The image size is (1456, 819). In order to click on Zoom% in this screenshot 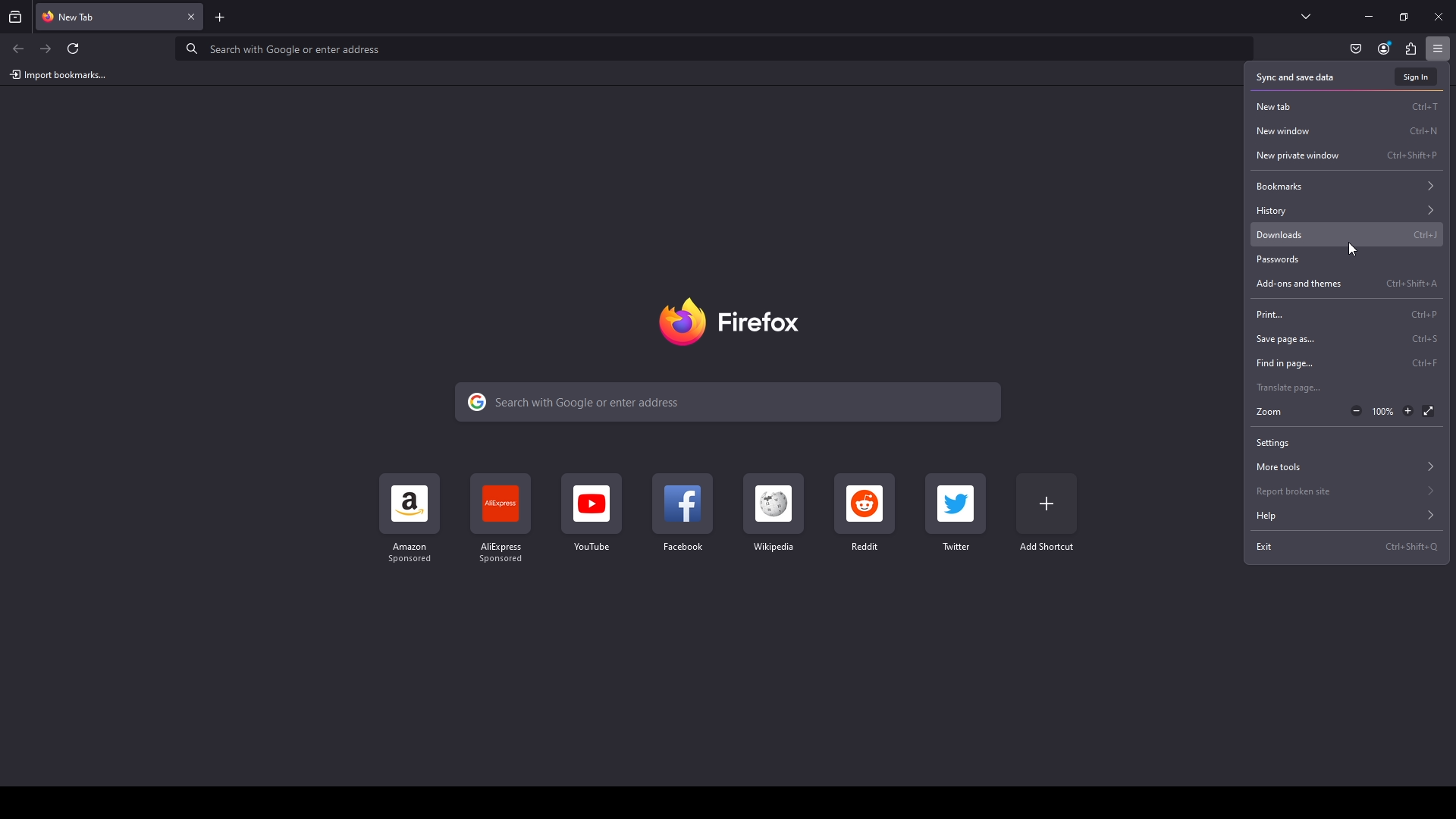, I will do `click(1384, 411)`.